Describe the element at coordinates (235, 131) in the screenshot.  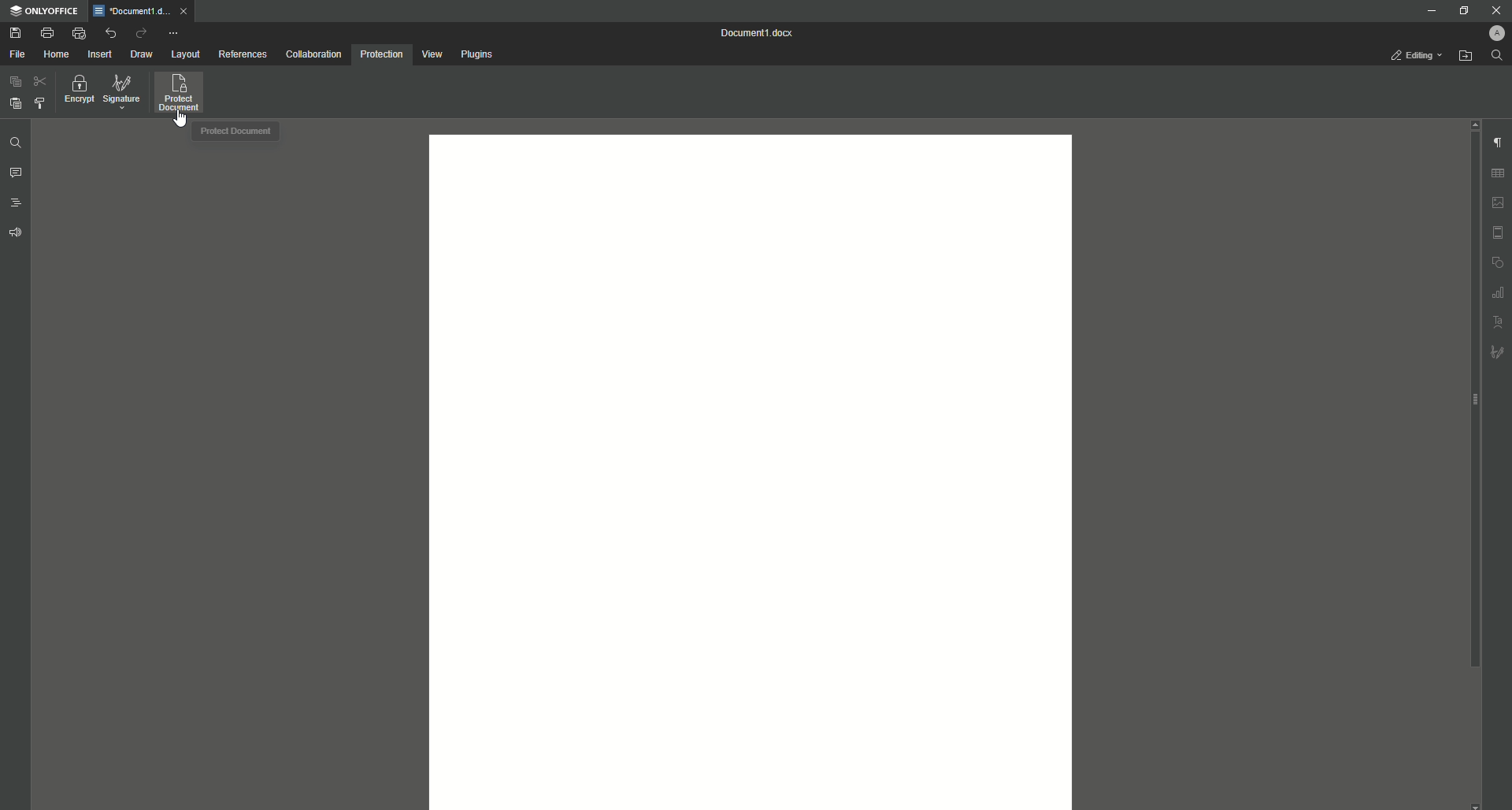
I see `Protected Document` at that location.